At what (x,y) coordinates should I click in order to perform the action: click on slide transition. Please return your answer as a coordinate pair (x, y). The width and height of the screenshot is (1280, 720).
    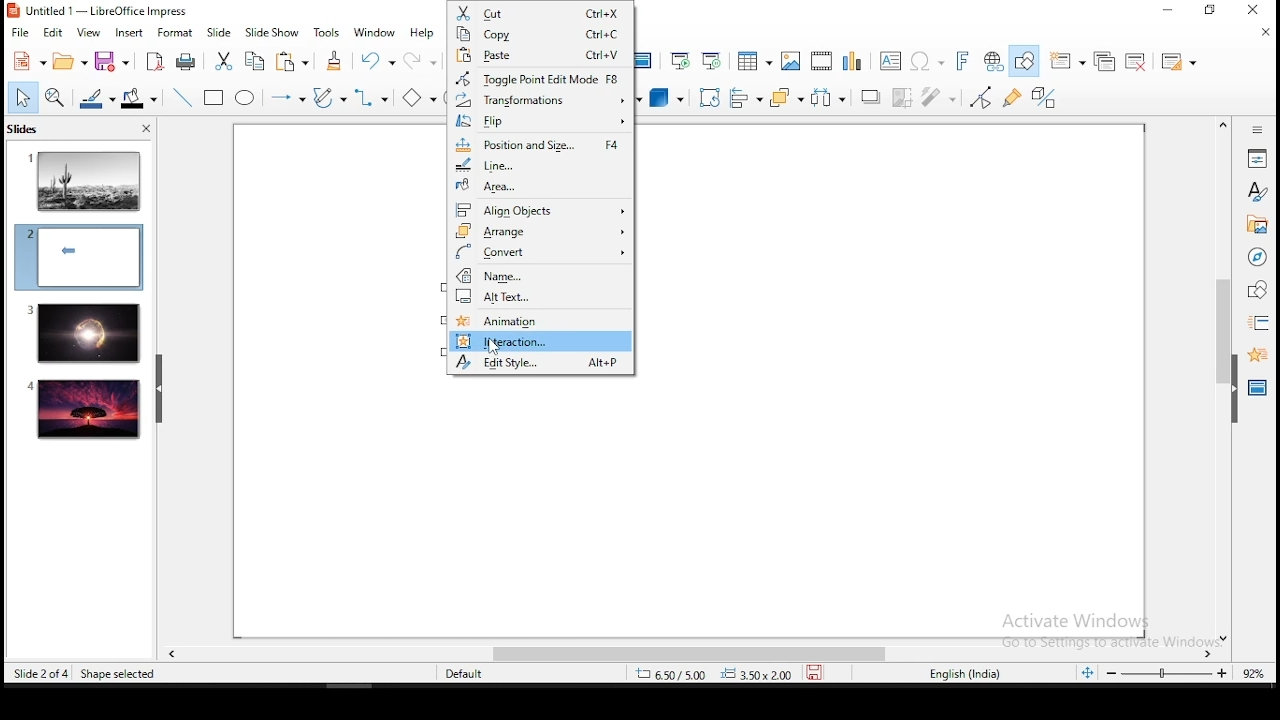
    Looking at the image, I should click on (1258, 324).